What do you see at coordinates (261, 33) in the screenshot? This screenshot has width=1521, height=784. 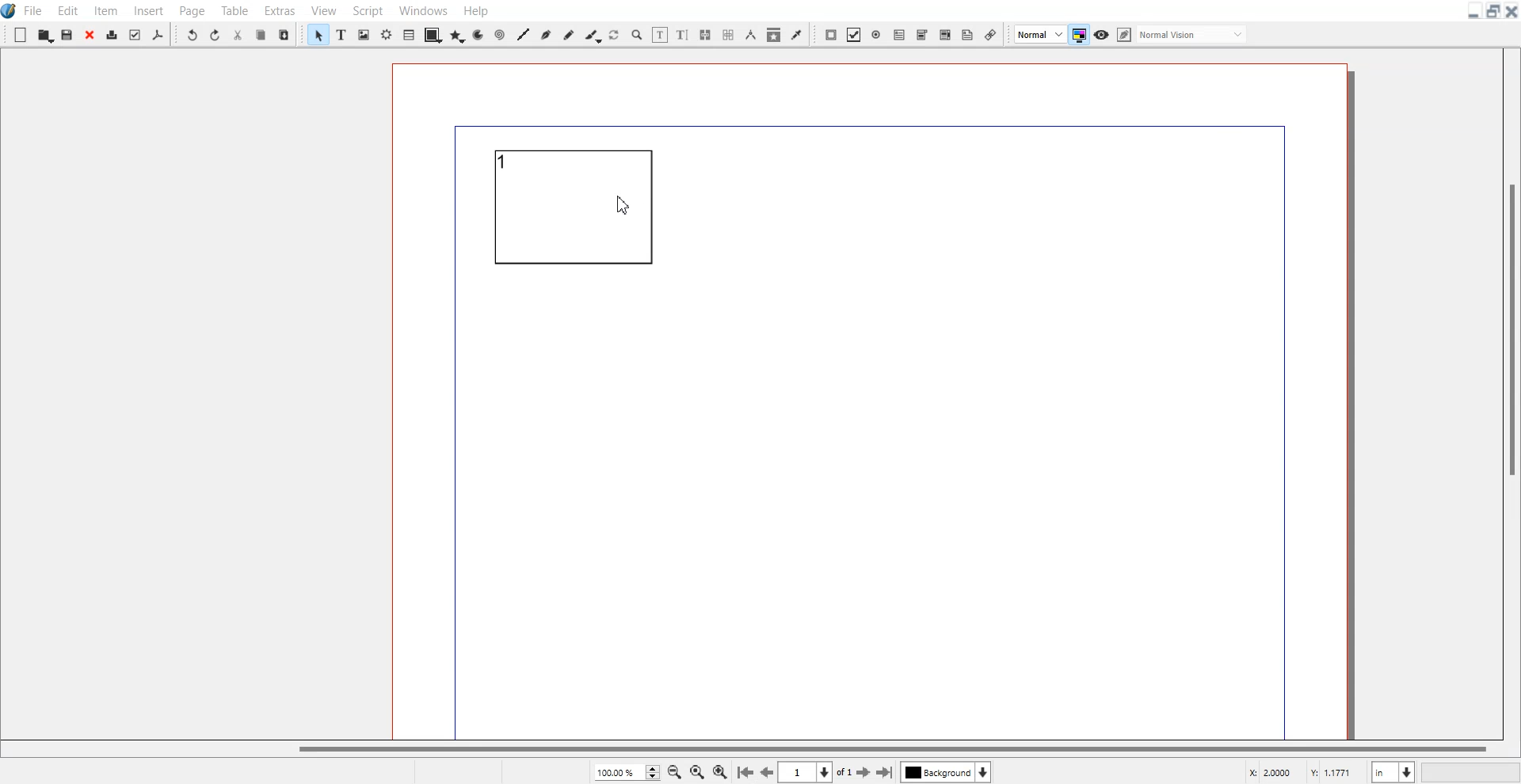 I see `Copy` at bounding box center [261, 33].